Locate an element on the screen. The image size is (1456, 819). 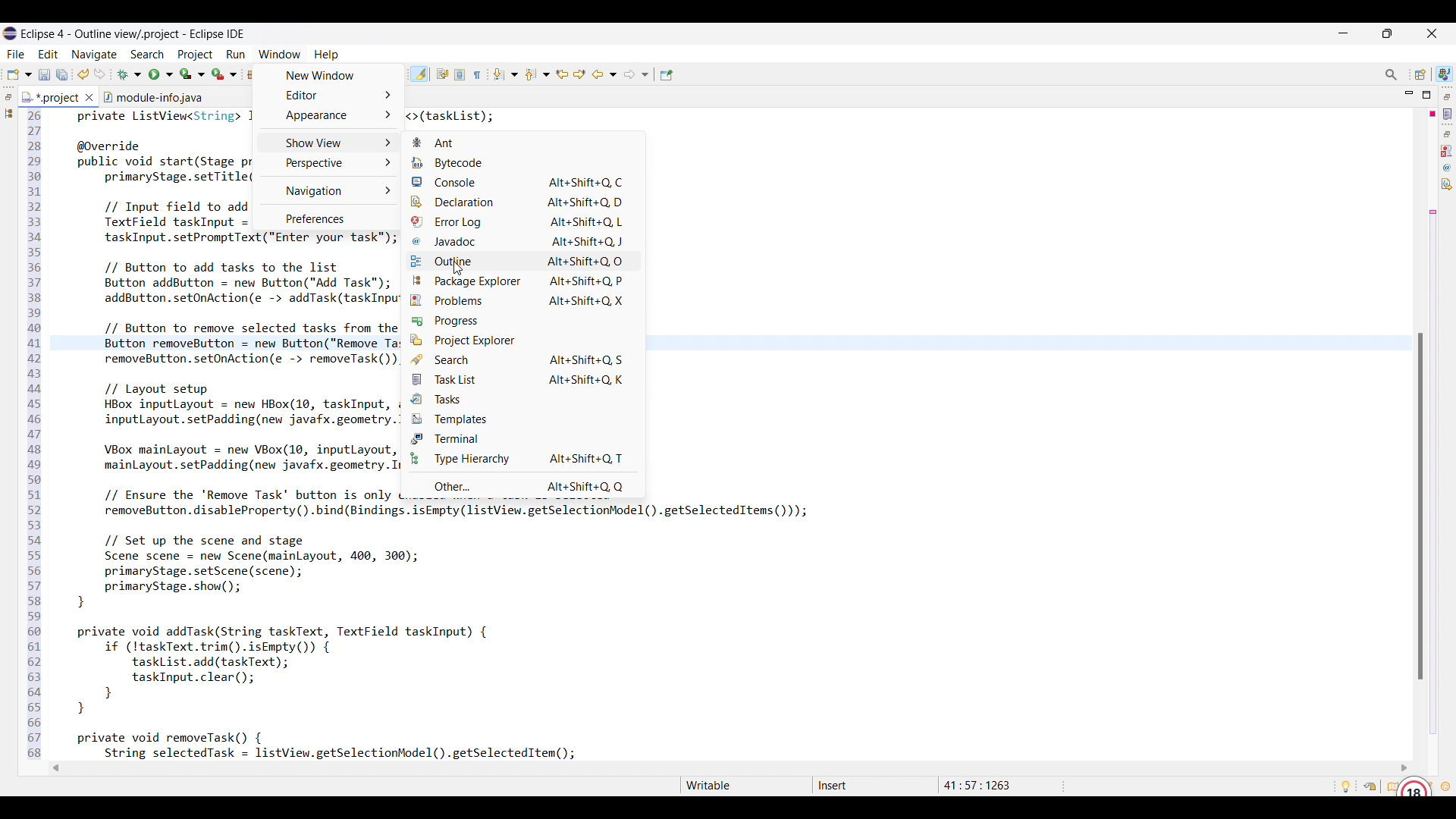
Restore welcome is located at coordinates (1370, 786).